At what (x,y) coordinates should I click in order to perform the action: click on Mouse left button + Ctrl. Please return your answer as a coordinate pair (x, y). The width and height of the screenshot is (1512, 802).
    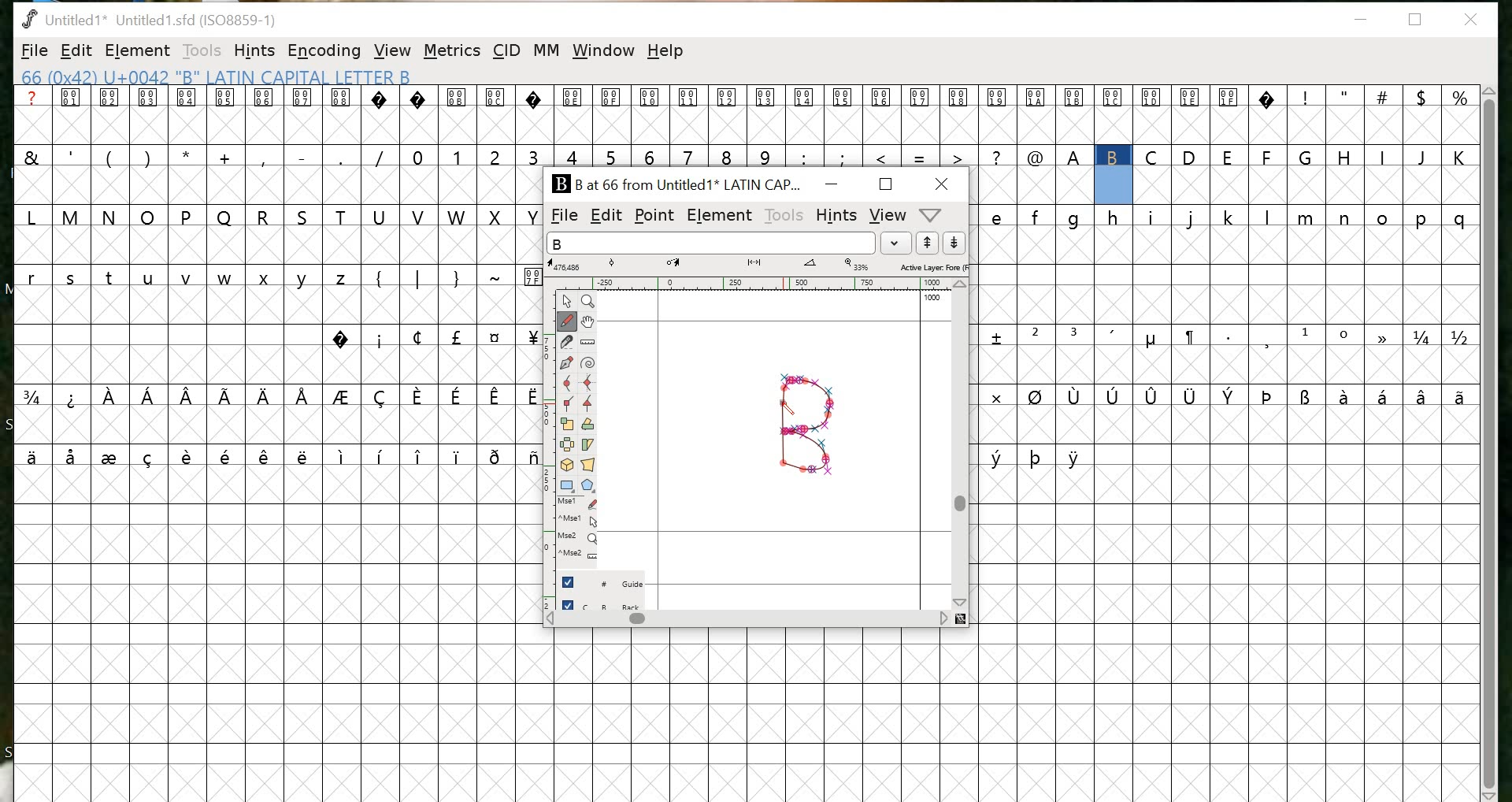
    Looking at the image, I should click on (582, 522).